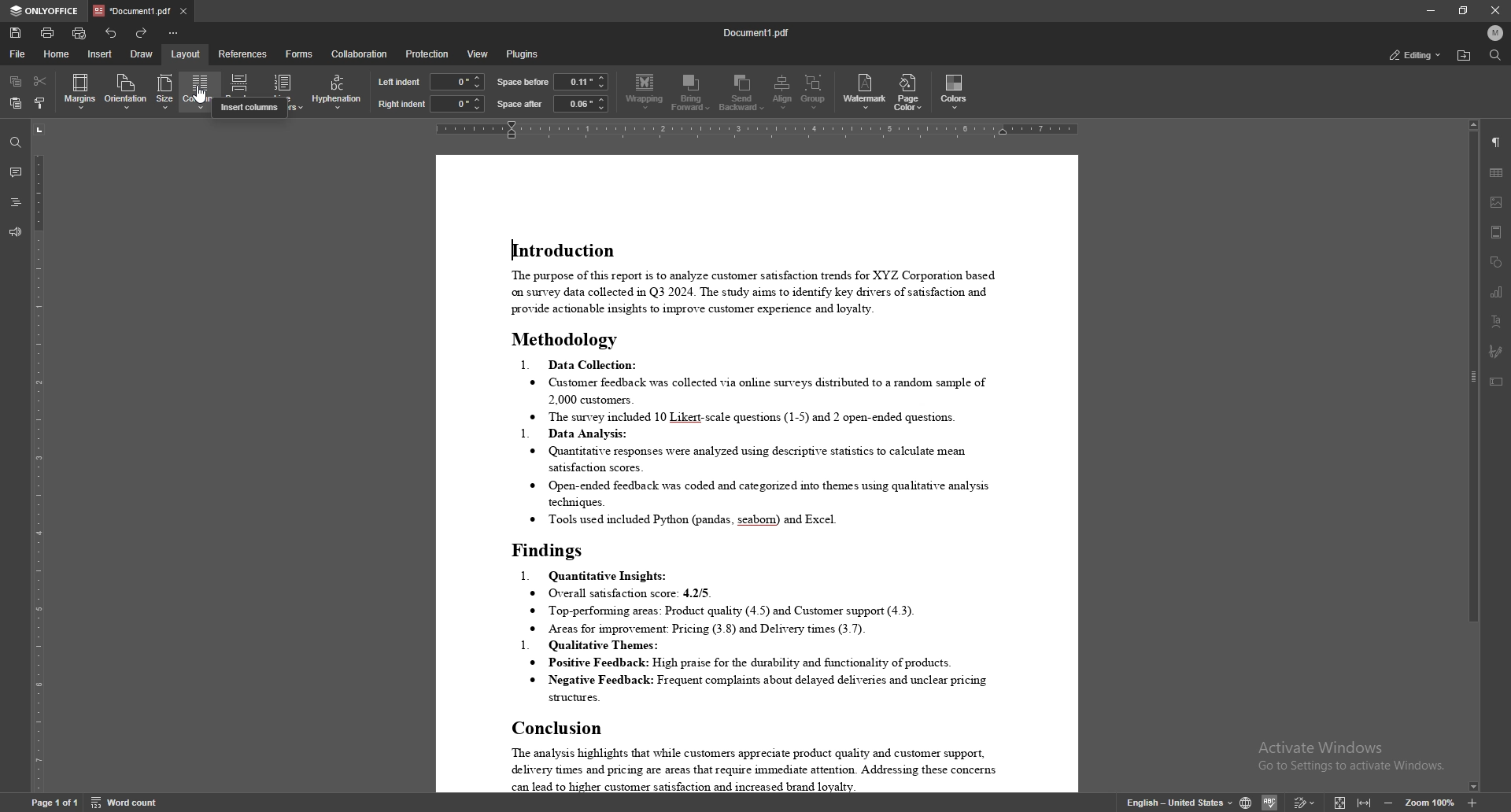 The width and height of the screenshot is (1511, 812). What do you see at coordinates (742, 93) in the screenshot?
I see `send backward` at bounding box center [742, 93].